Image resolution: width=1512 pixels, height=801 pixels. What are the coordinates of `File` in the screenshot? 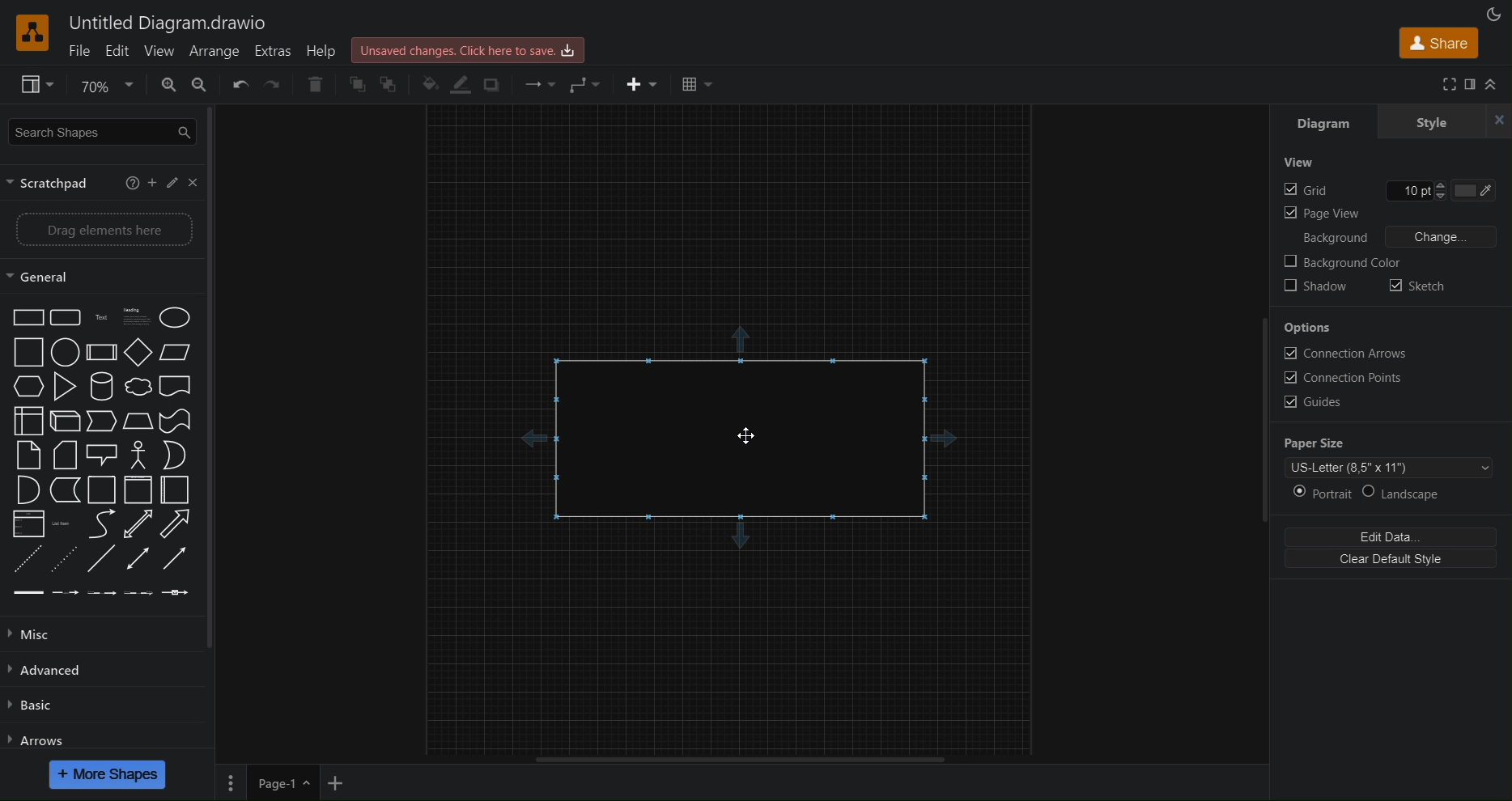 It's located at (80, 51).